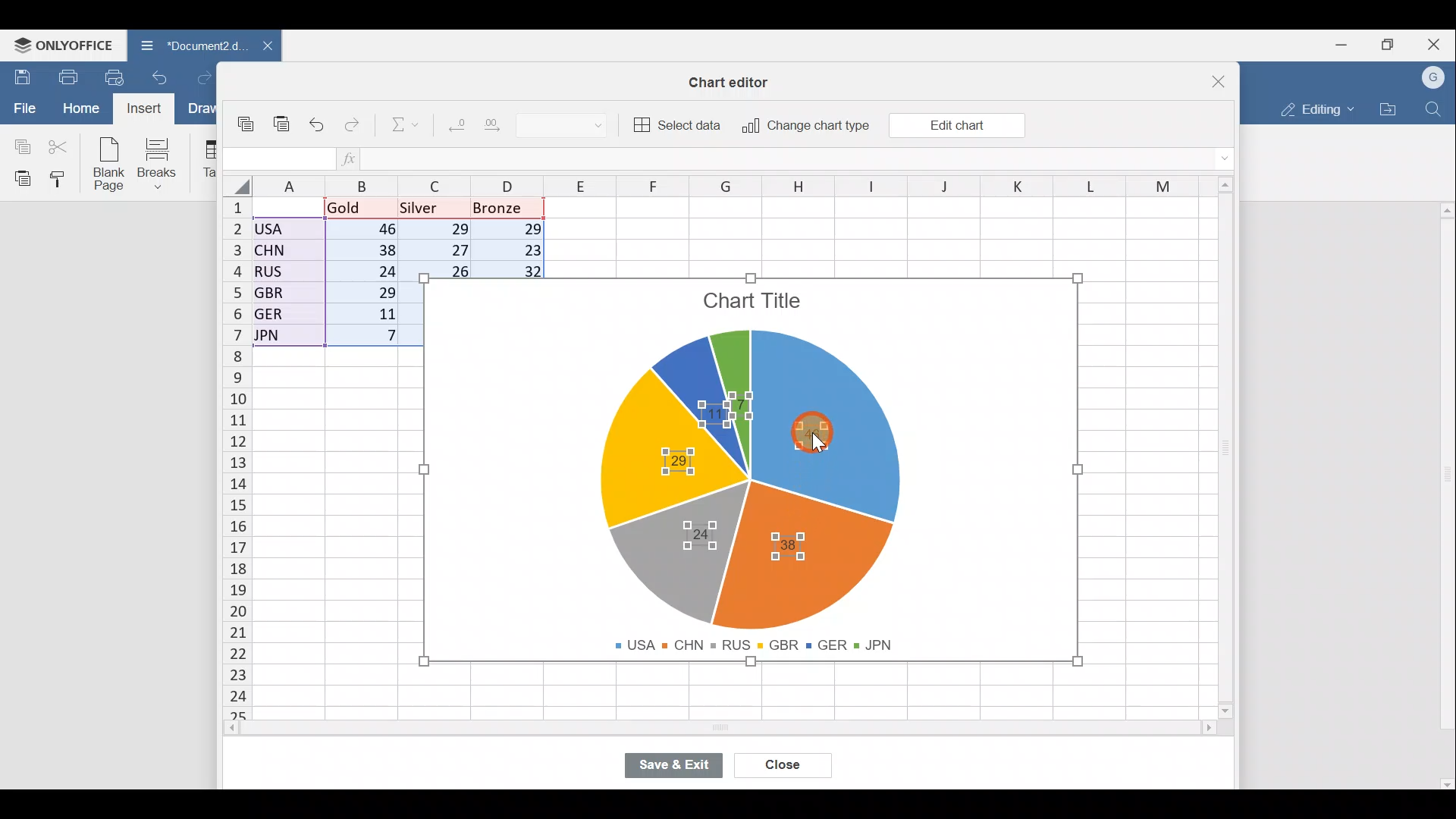 This screenshot has height=819, width=1456. What do you see at coordinates (164, 82) in the screenshot?
I see `Undo` at bounding box center [164, 82].